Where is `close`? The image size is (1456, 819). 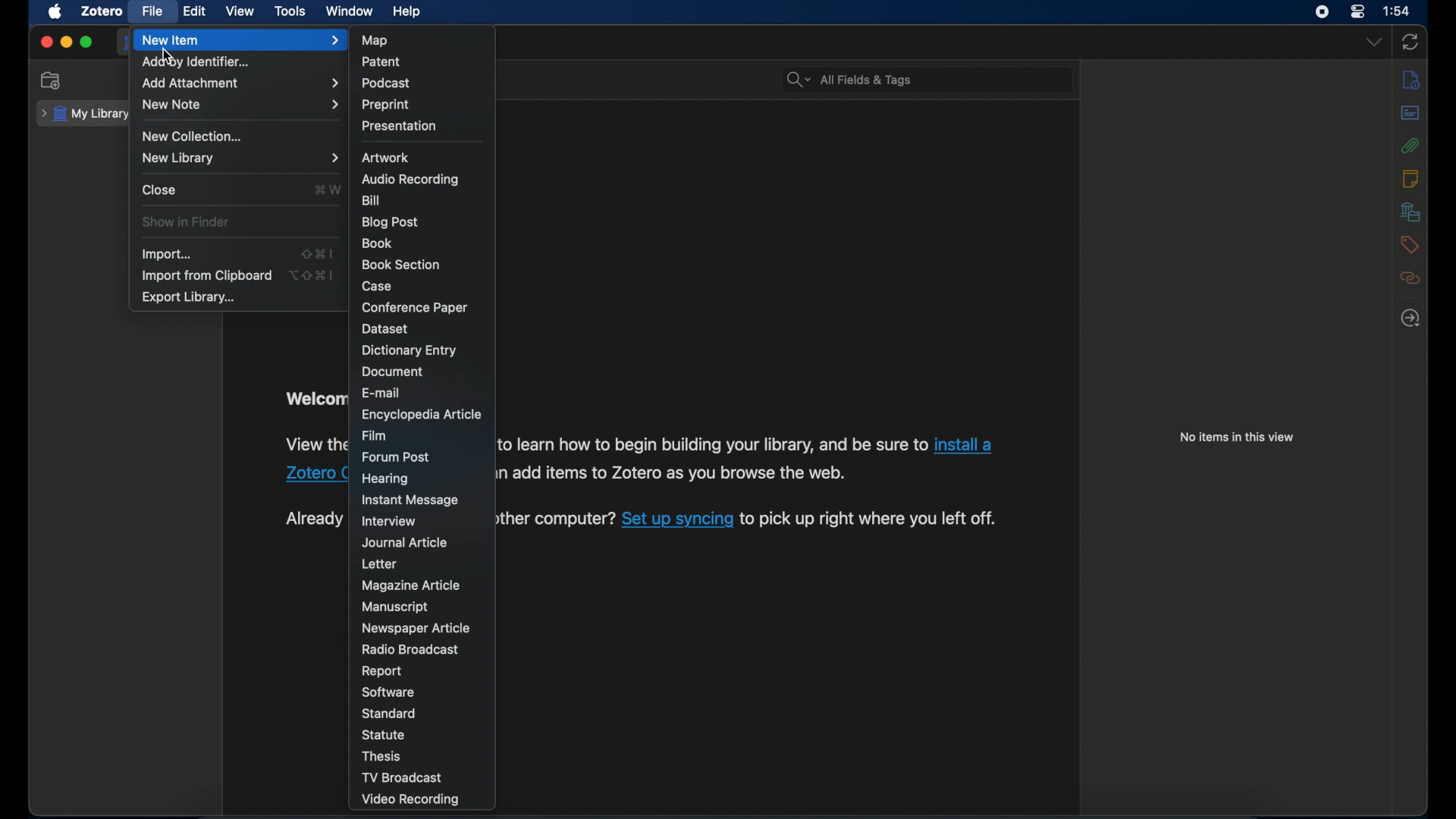 close is located at coordinates (159, 189).